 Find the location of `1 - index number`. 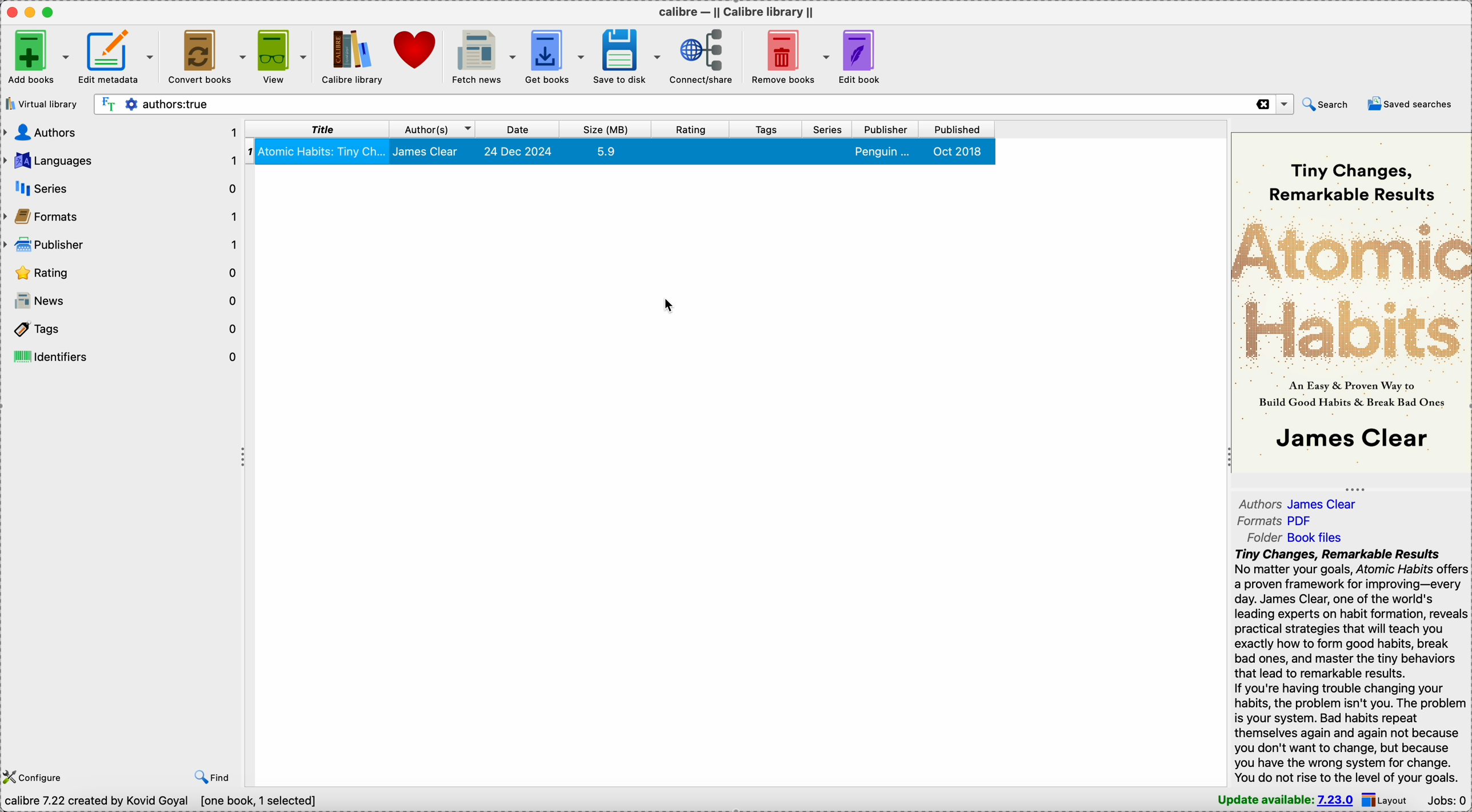

1 - index number is located at coordinates (250, 151).